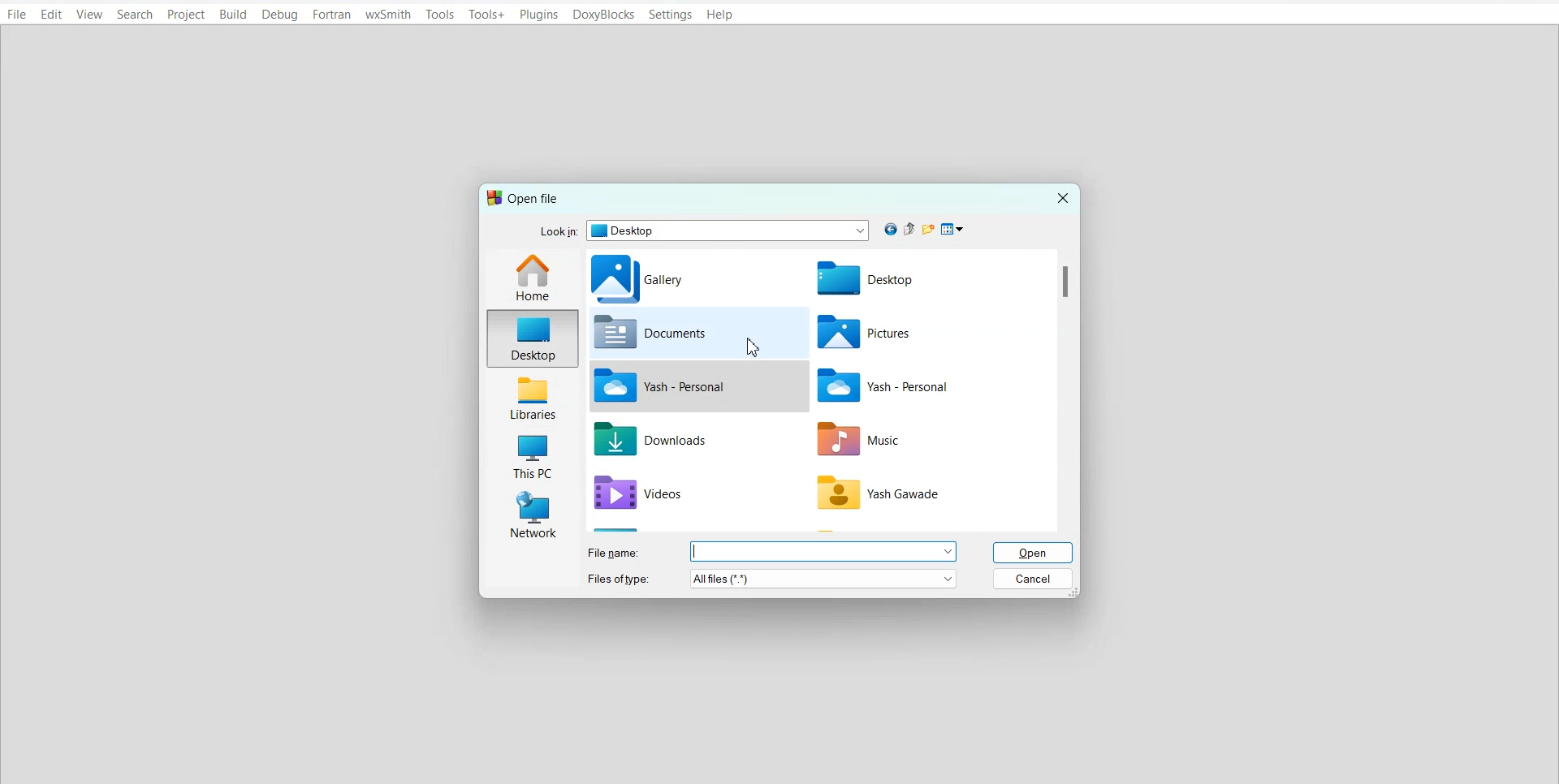 The height and width of the screenshot is (784, 1559). I want to click on Libraries, so click(529, 399).